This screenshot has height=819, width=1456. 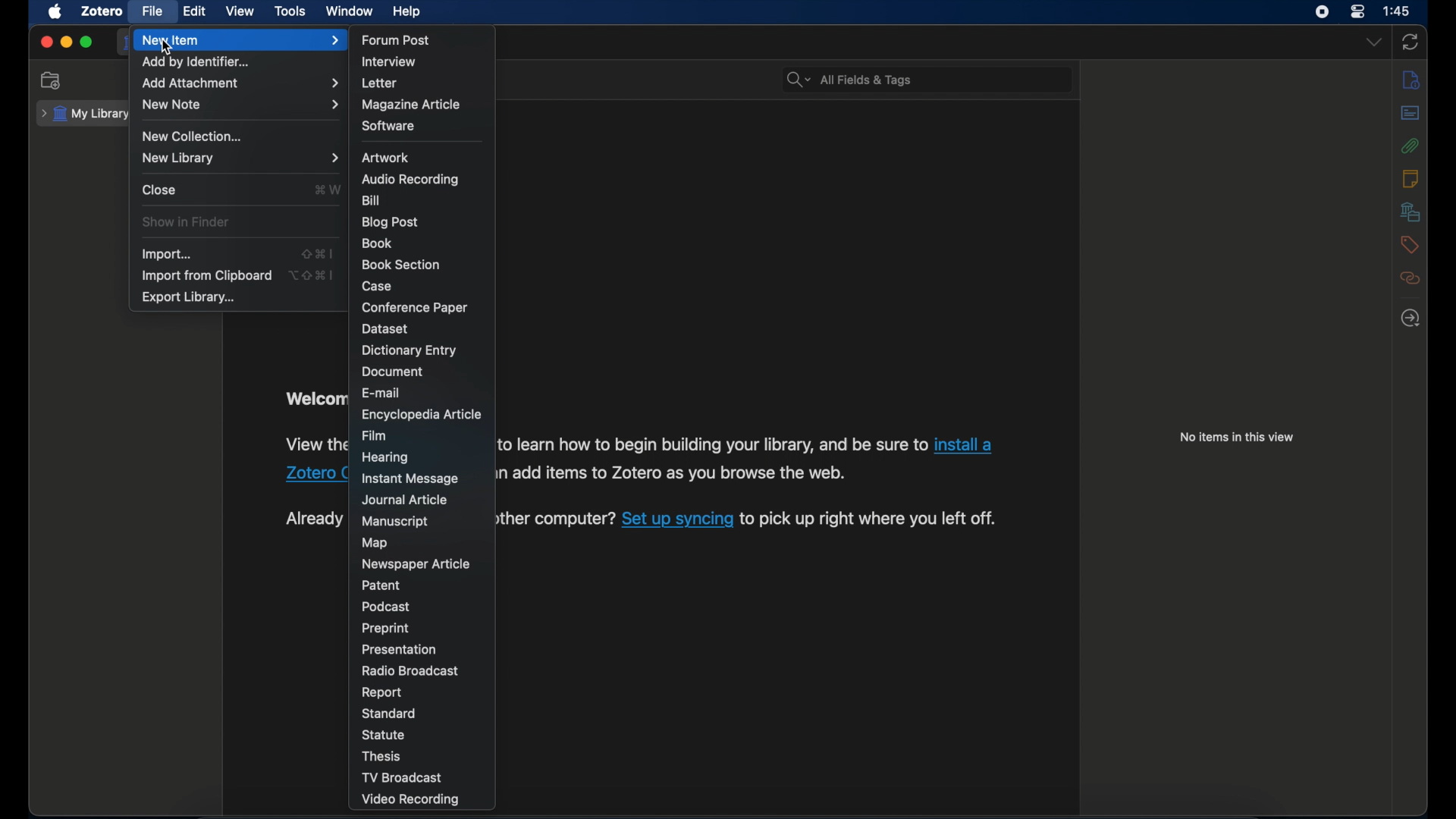 I want to click on to learn how to begin building your library, and be sure to, so click(x=713, y=444).